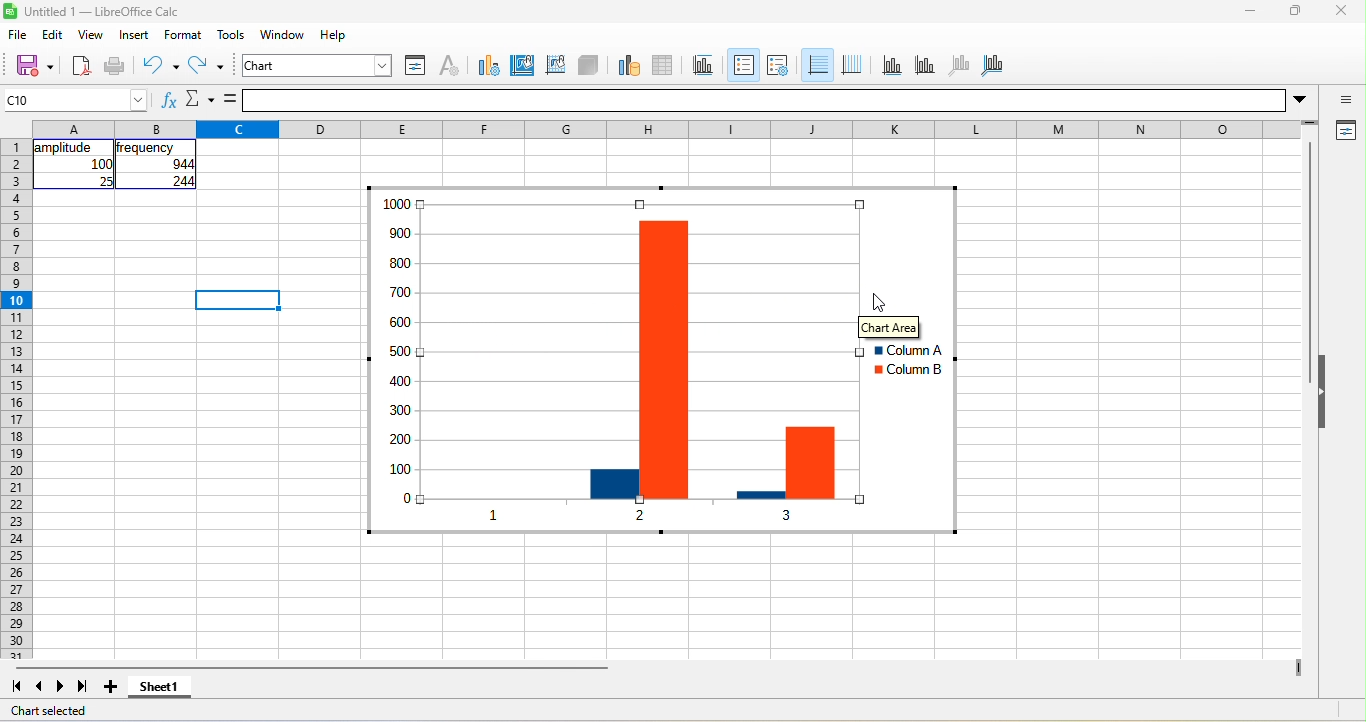  What do you see at coordinates (923, 64) in the screenshot?
I see `y axis` at bounding box center [923, 64].